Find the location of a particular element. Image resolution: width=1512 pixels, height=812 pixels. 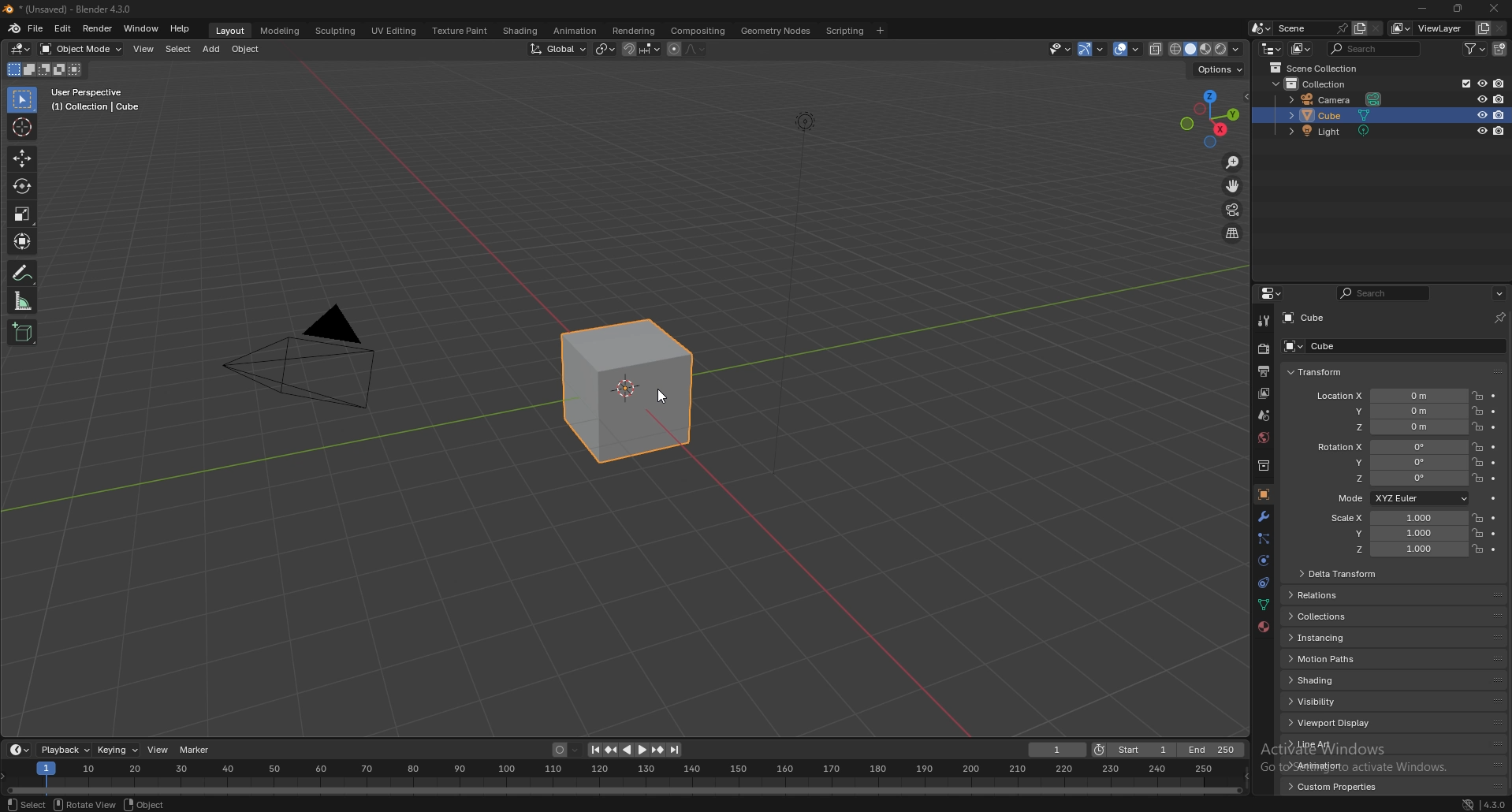

modes is located at coordinates (45, 69).